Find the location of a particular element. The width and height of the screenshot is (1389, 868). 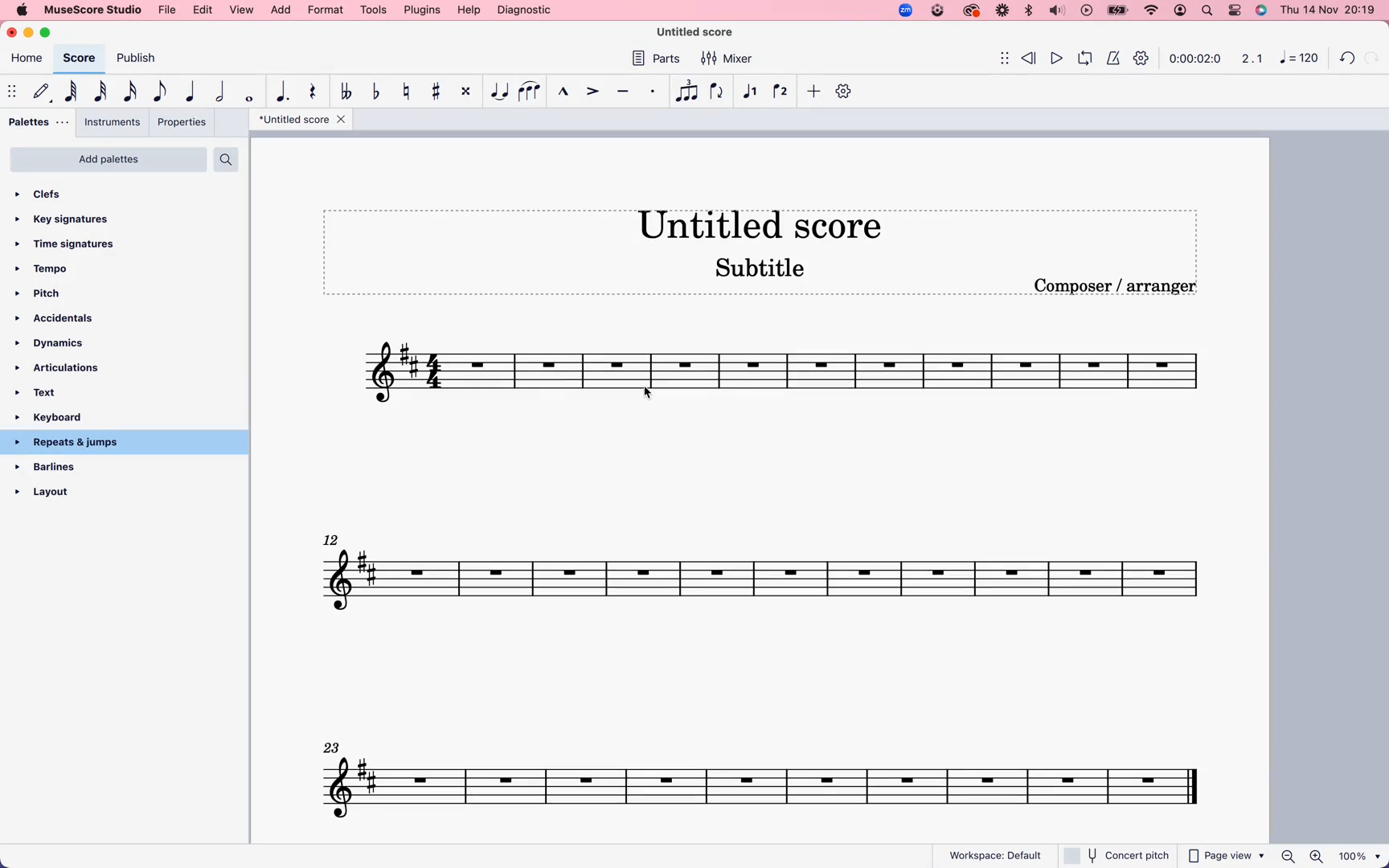

workspace is located at coordinates (996, 852).